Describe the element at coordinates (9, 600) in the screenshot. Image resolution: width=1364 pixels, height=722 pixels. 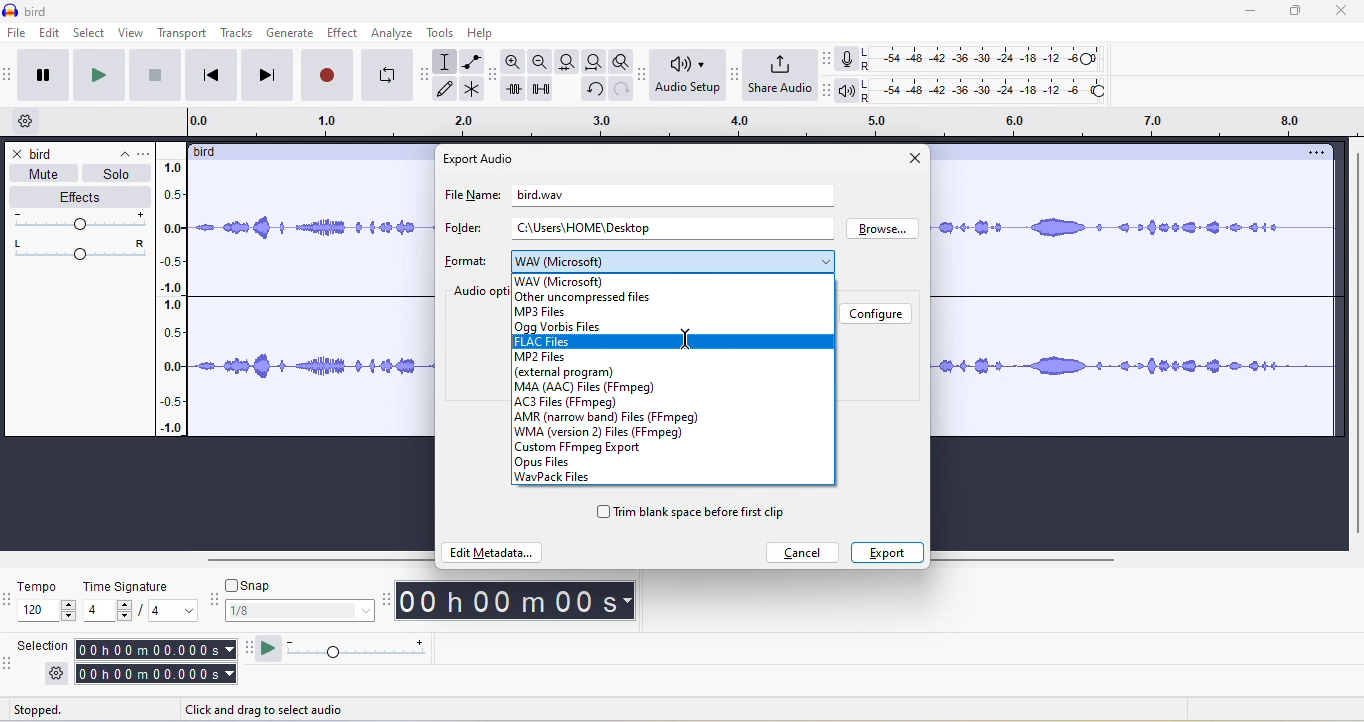
I see `audacity time signature toolbar` at that location.